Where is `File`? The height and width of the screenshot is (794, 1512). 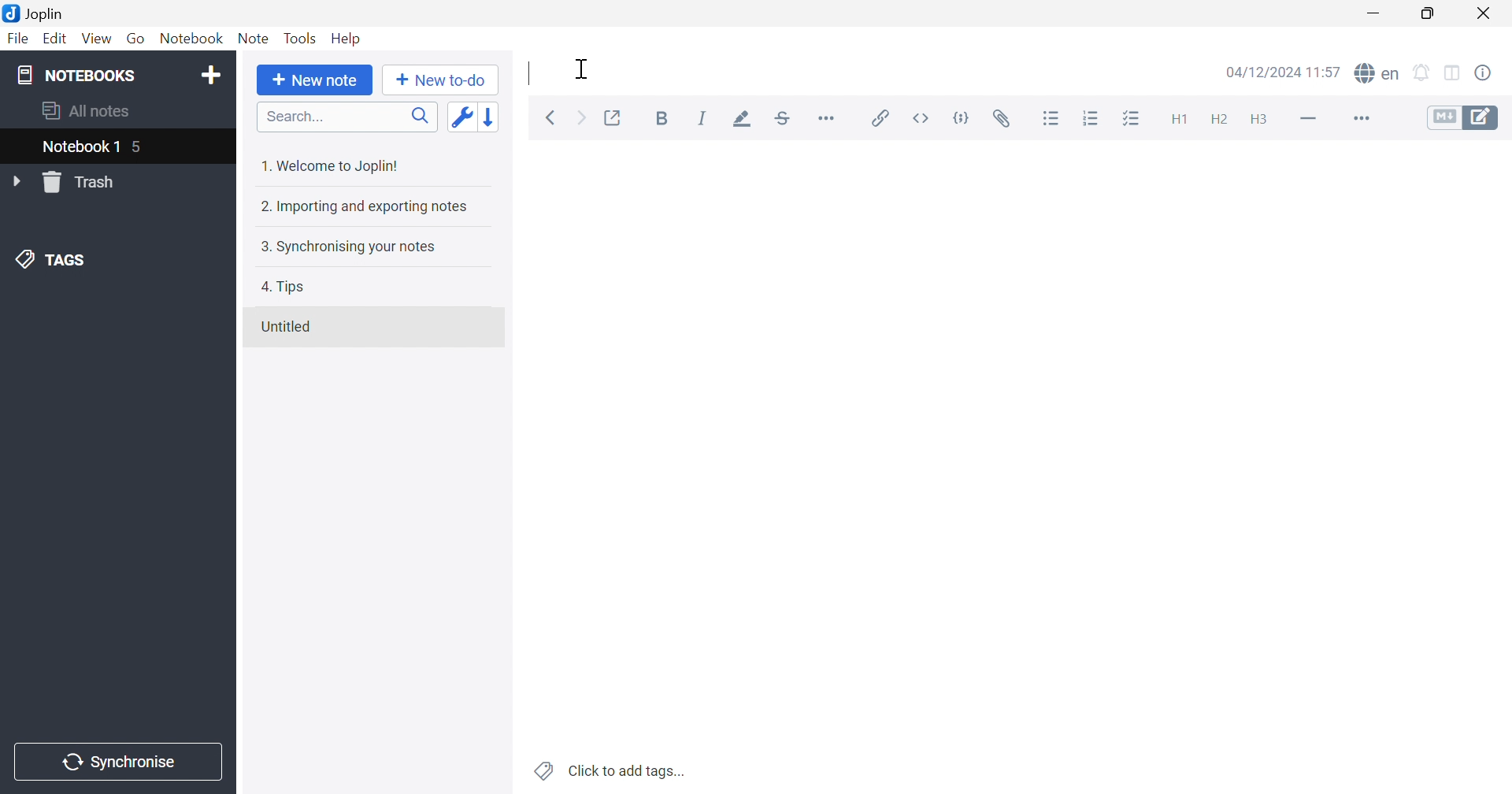
File is located at coordinates (20, 39).